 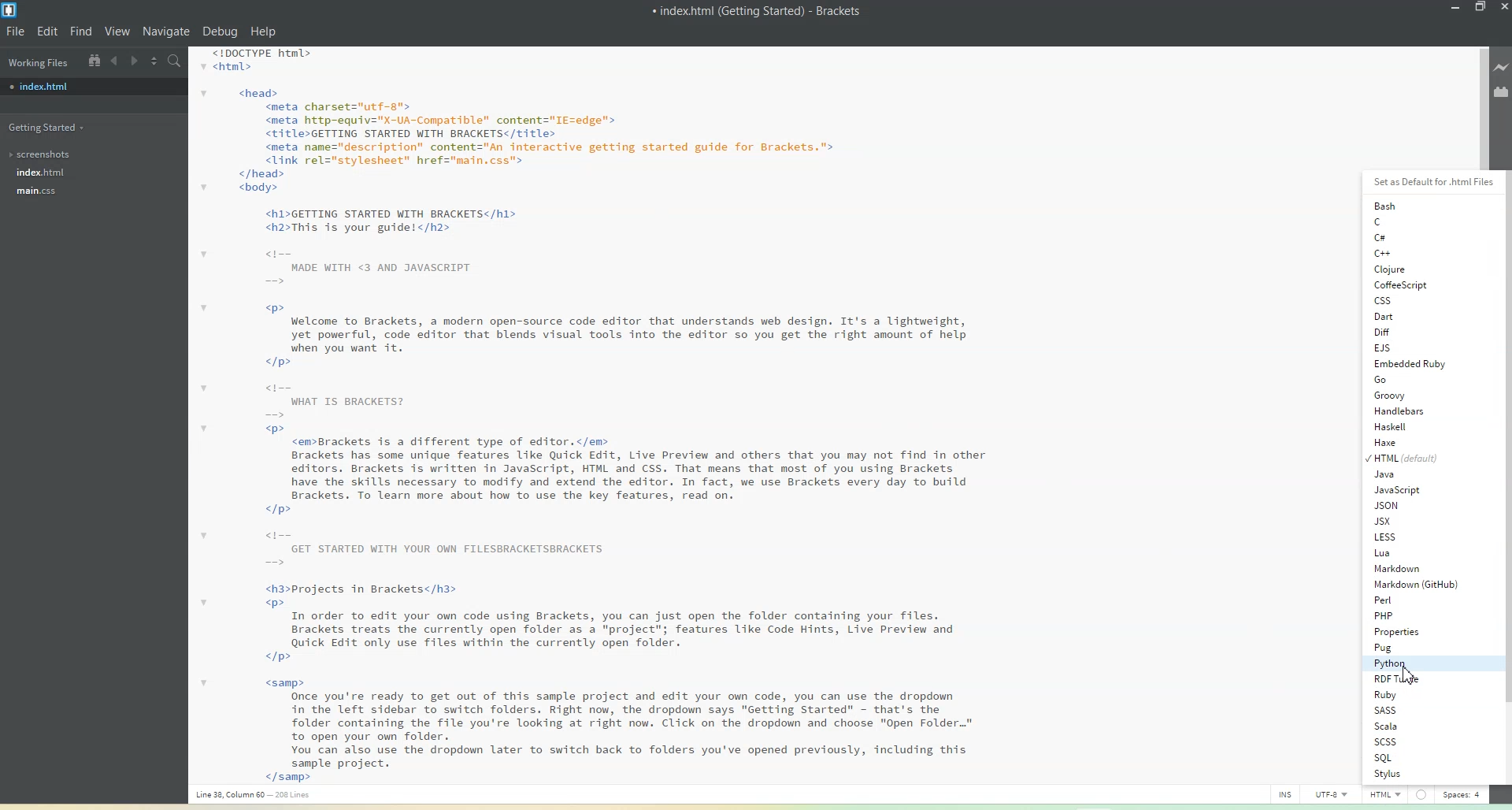 I want to click on Line, column, so click(x=258, y=796).